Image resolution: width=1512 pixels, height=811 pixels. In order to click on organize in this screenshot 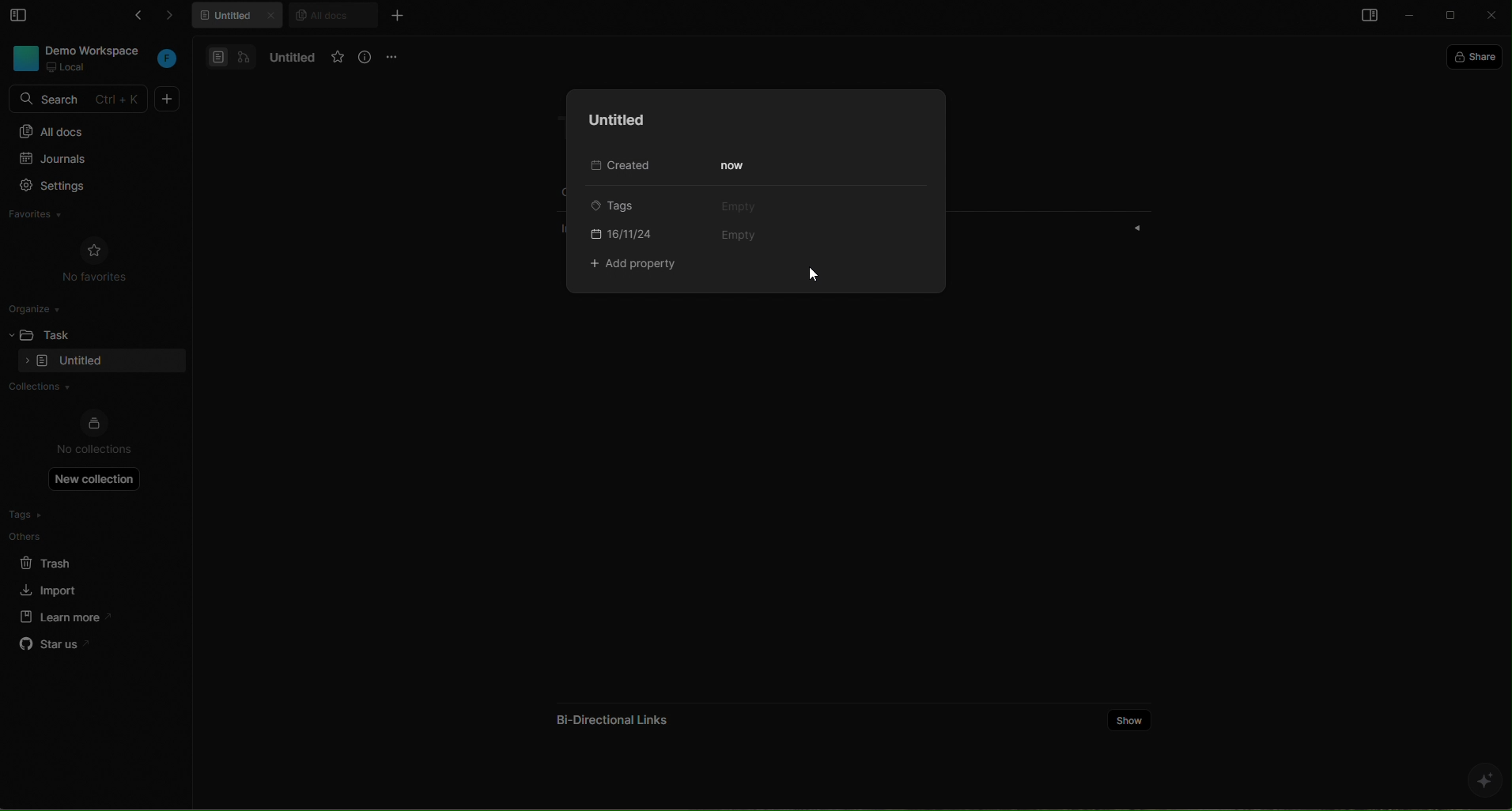, I will do `click(40, 307)`.